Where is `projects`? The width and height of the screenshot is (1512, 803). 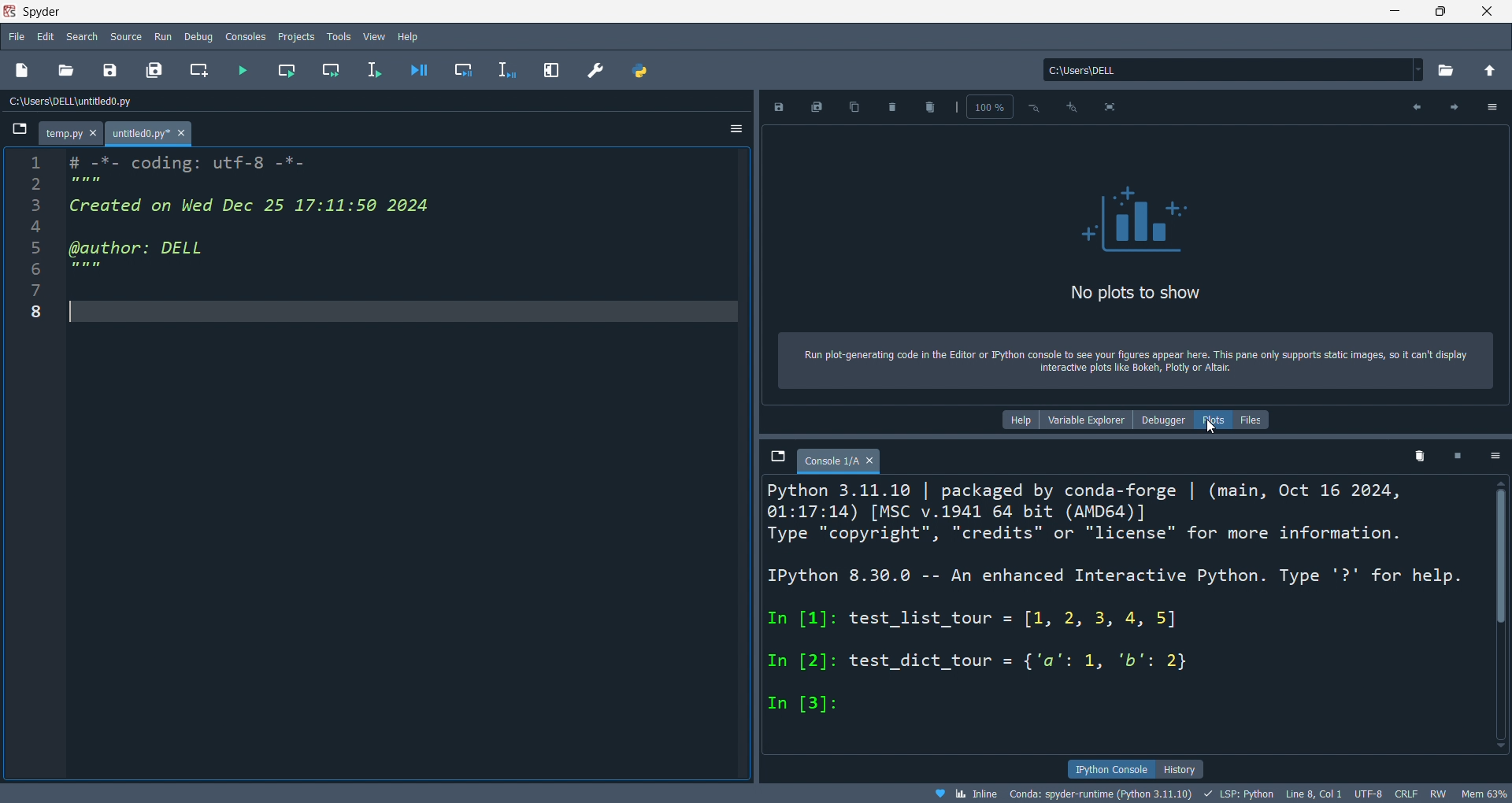
projects is located at coordinates (293, 35).